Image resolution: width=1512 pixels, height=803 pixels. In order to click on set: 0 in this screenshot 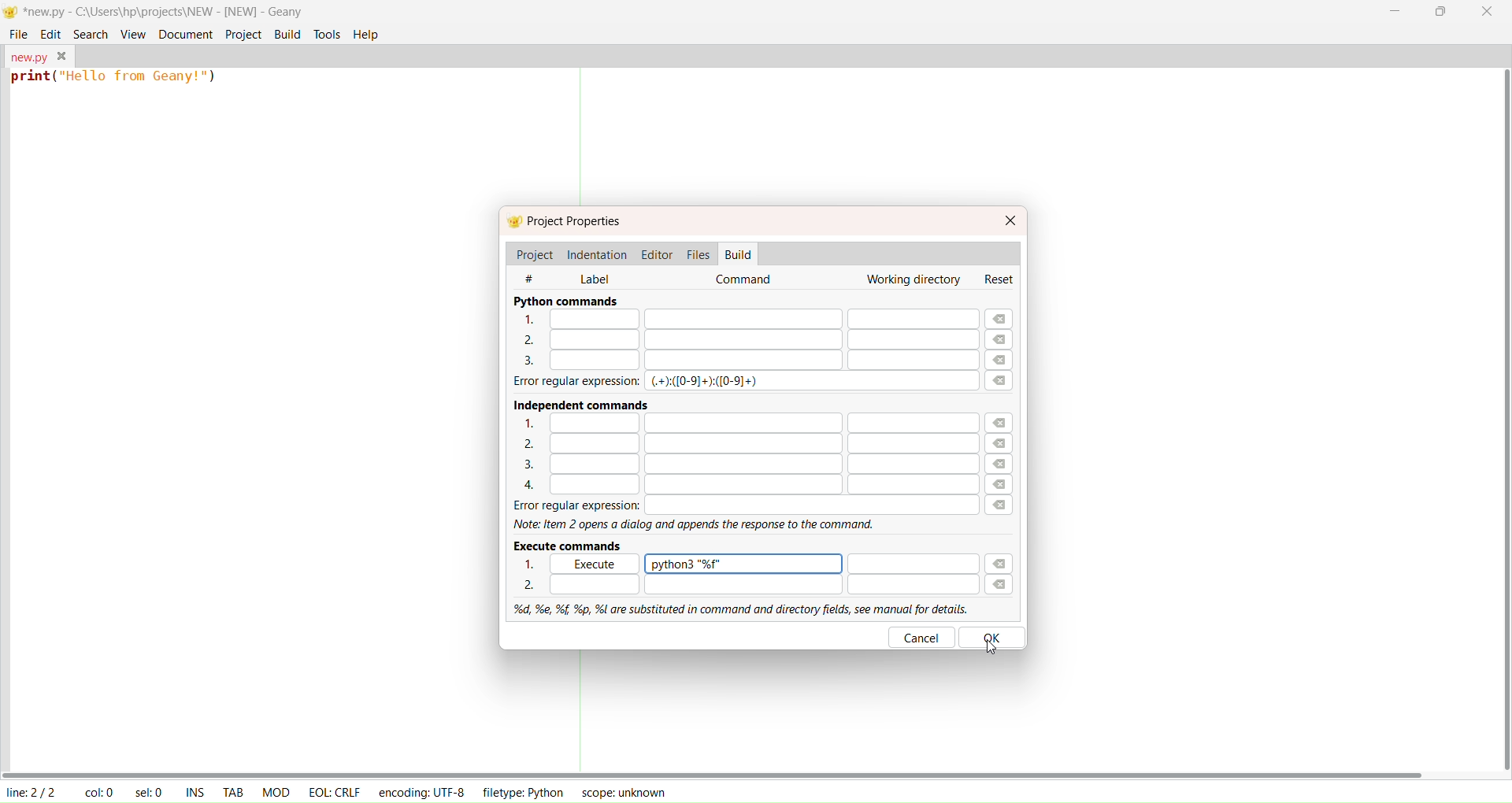, I will do `click(151, 792)`.